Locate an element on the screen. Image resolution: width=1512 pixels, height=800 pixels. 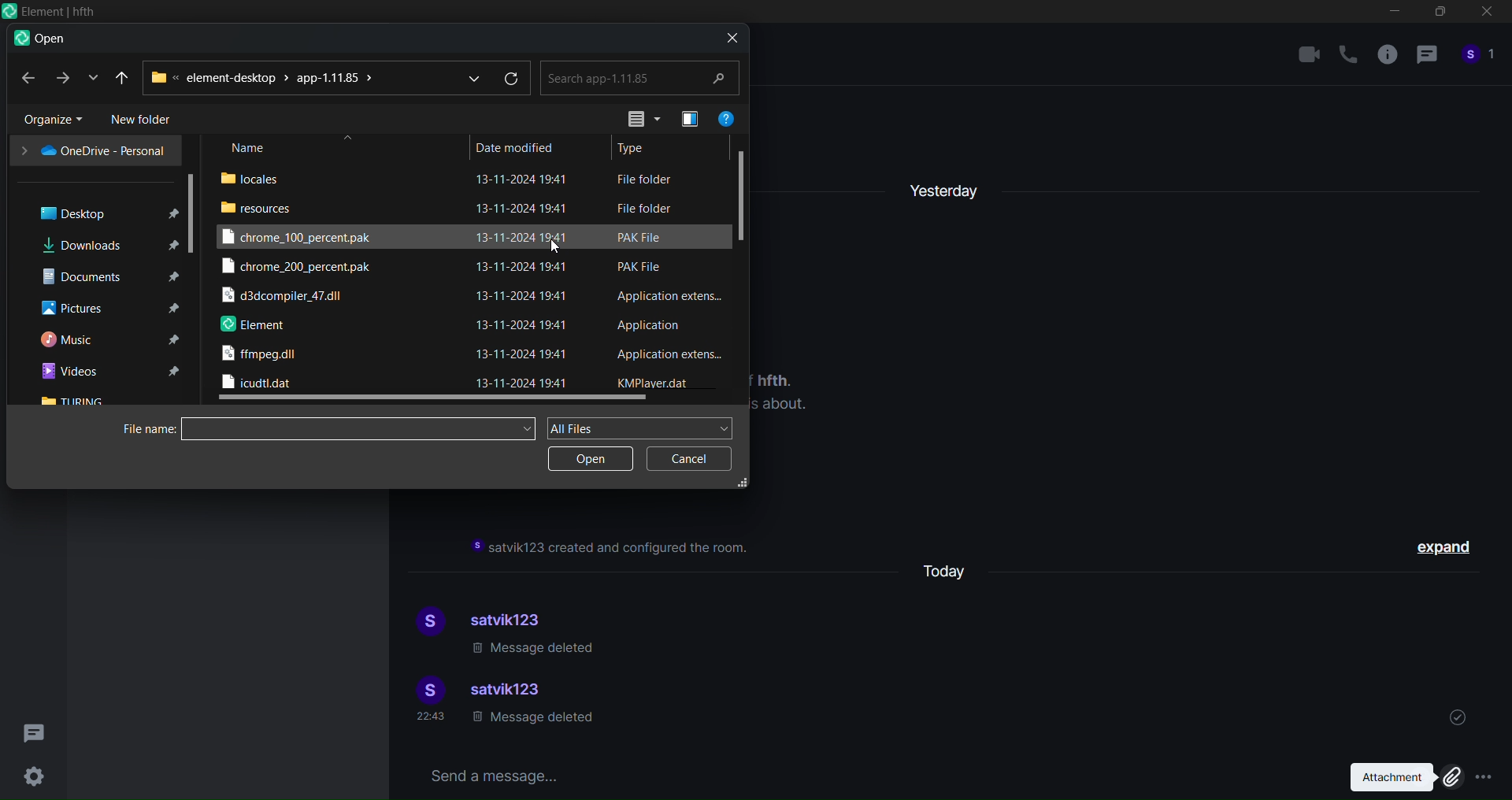
yesterday is located at coordinates (946, 186).